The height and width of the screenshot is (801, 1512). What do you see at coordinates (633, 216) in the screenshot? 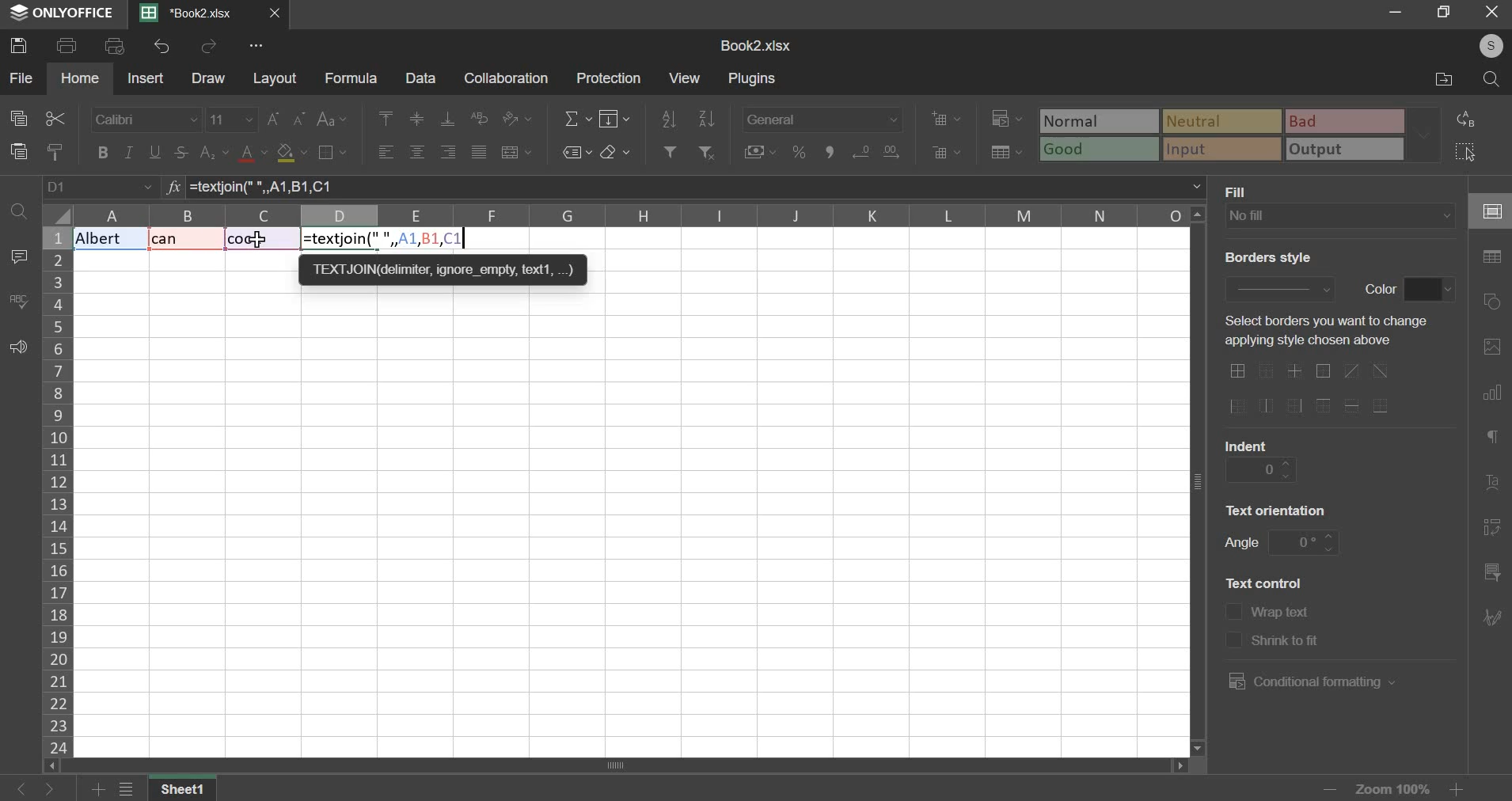
I see `columns` at bounding box center [633, 216].